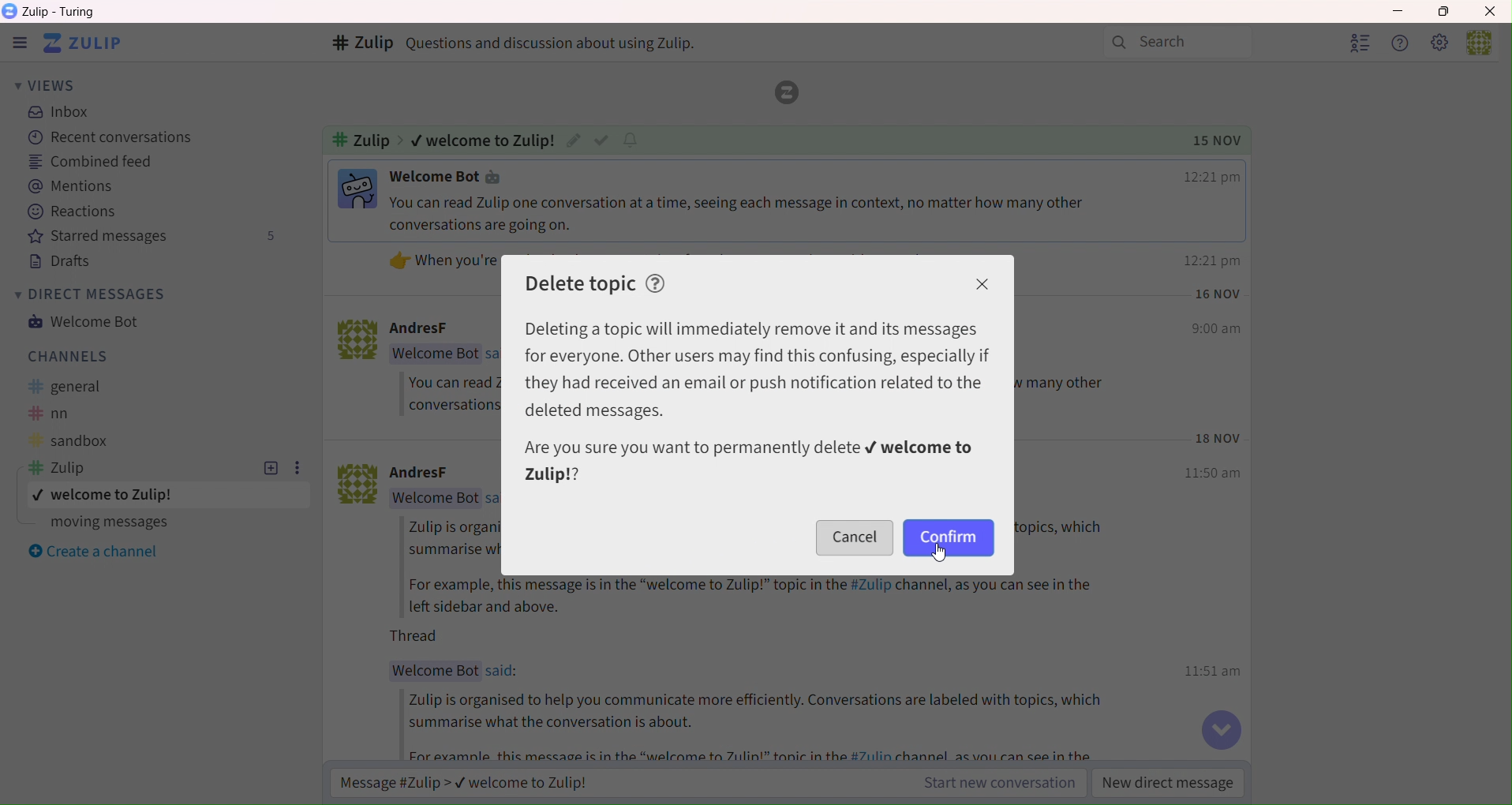  Describe the element at coordinates (99, 522) in the screenshot. I see `Moving messages` at that location.